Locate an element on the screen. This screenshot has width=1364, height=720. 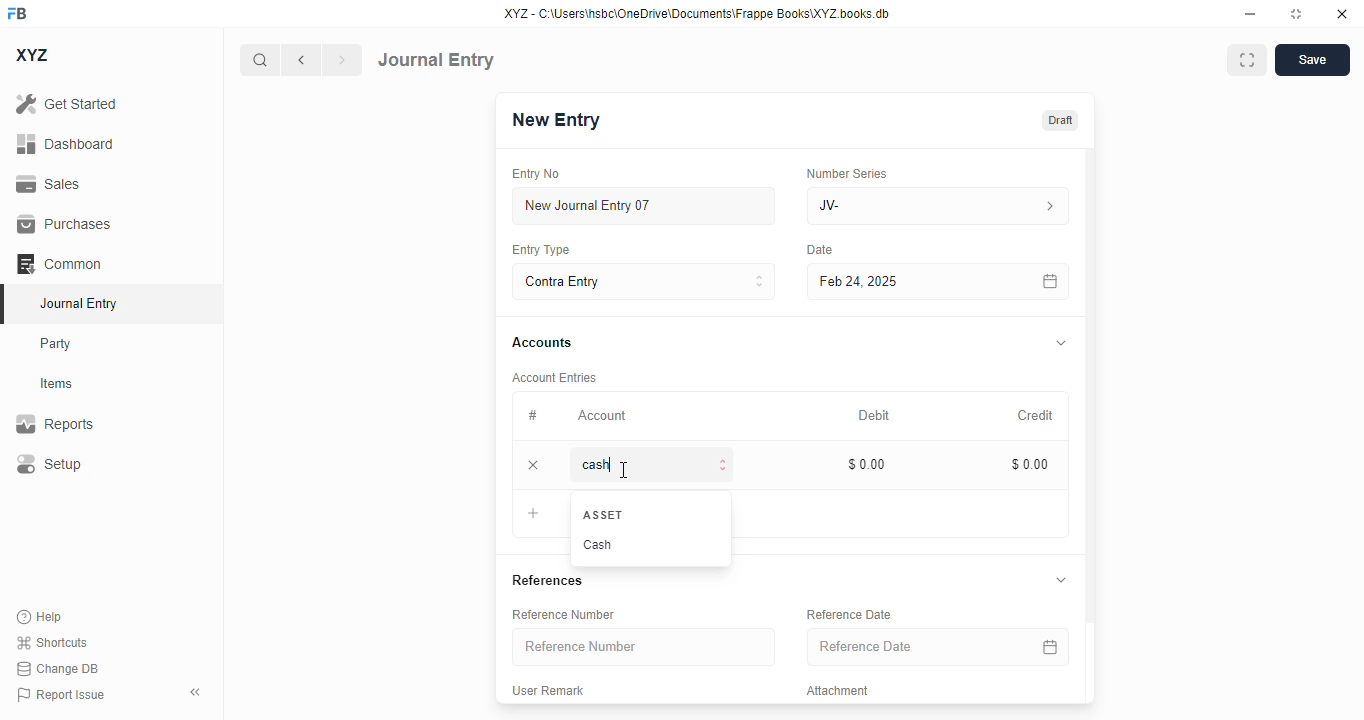
help is located at coordinates (40, 617).